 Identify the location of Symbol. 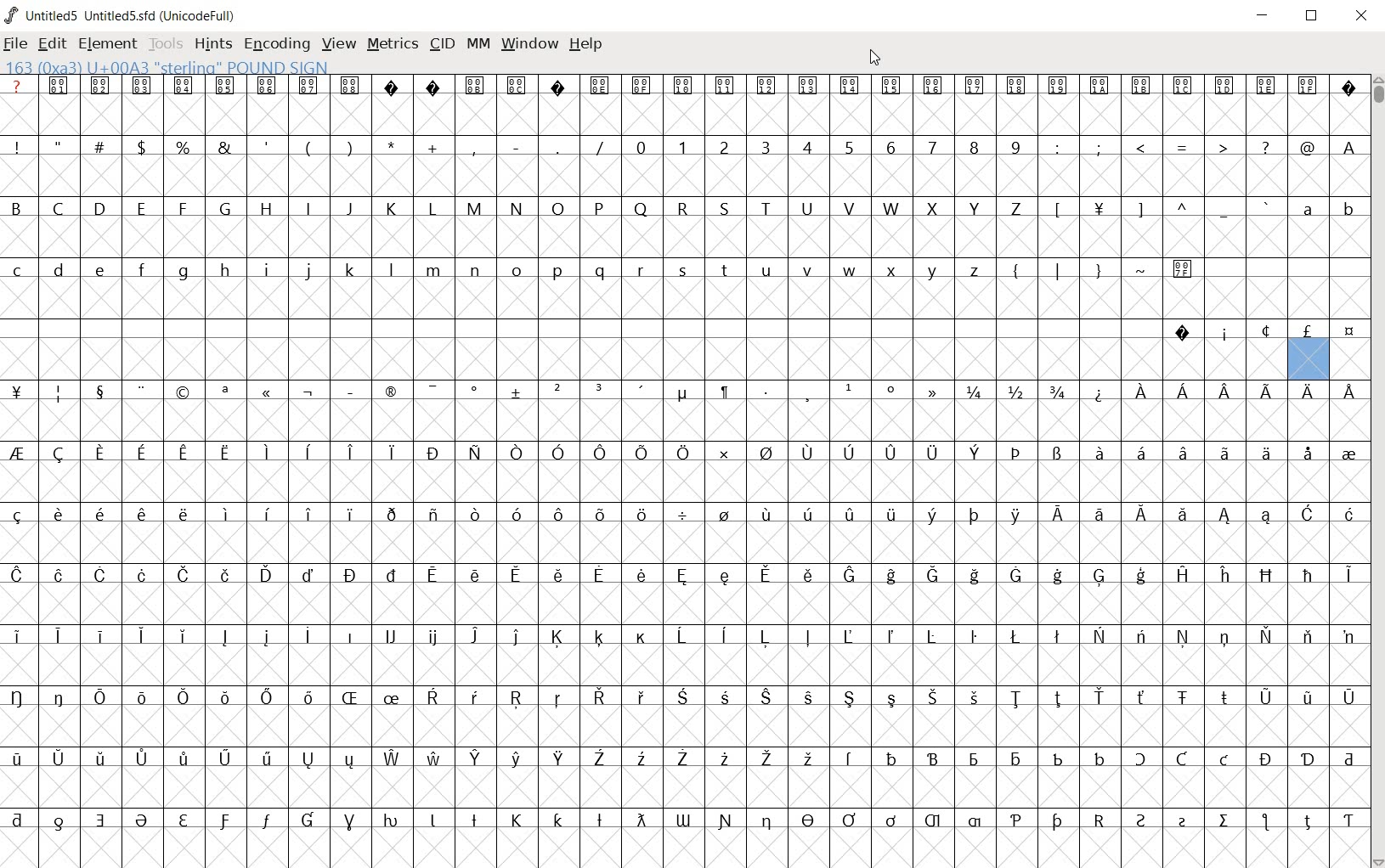
(890, 451).